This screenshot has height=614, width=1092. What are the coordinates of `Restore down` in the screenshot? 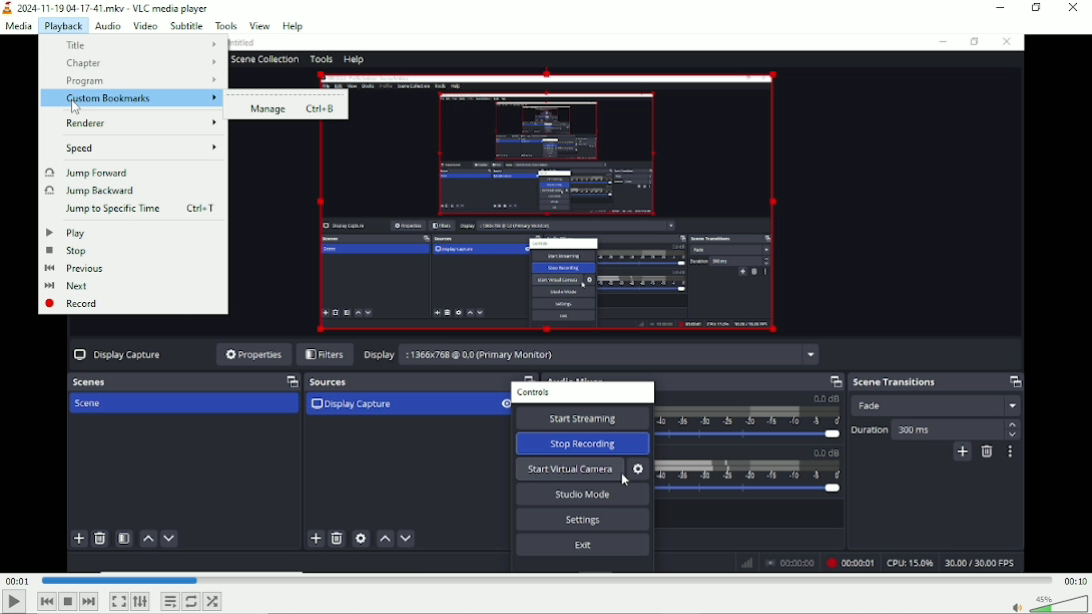 It's located at (1036, 8).